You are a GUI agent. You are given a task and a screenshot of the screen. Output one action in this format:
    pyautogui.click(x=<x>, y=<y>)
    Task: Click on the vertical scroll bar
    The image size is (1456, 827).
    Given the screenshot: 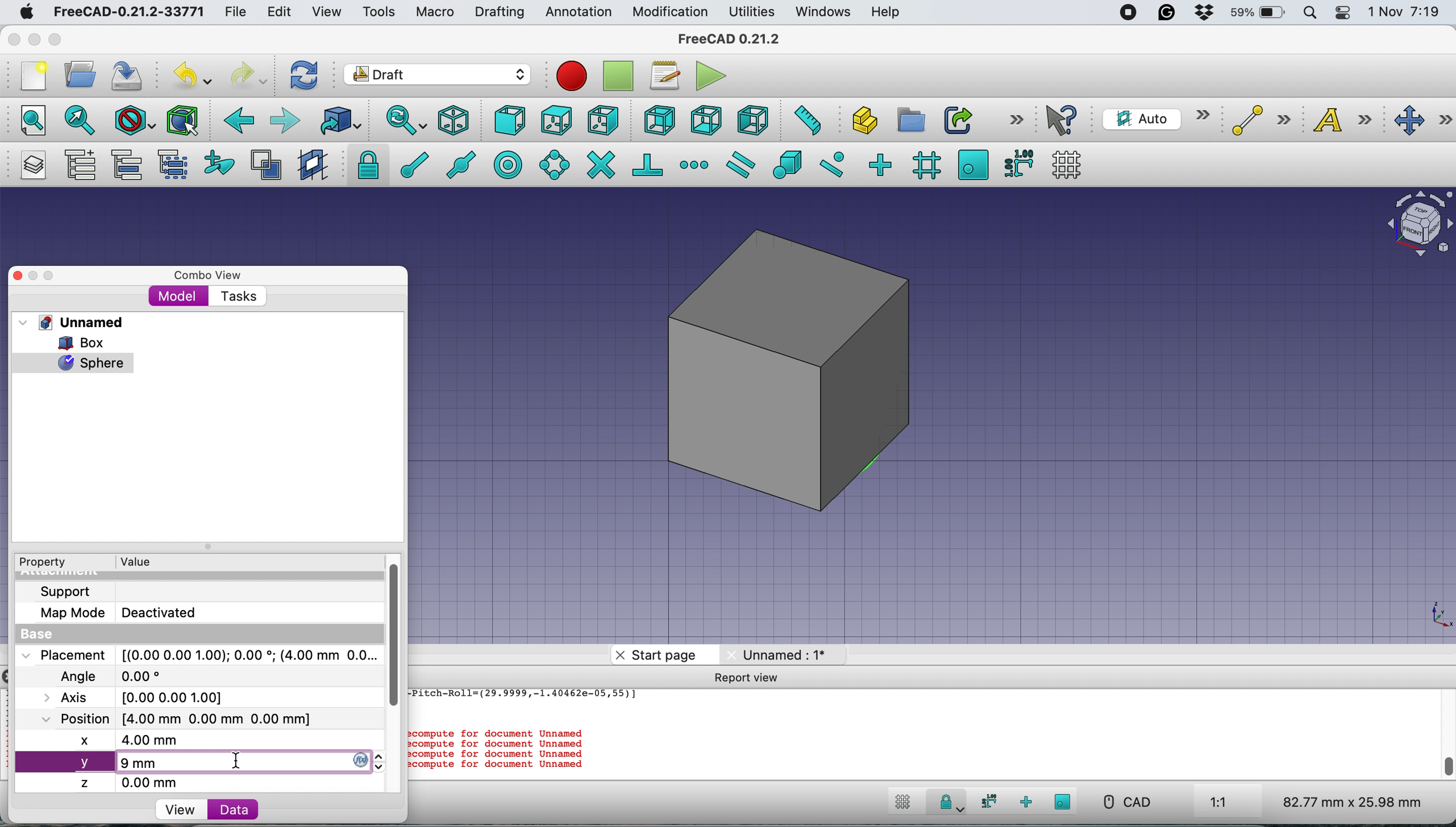 What is the action you would take?
    pyautogui.click(x=403, y=637)
    